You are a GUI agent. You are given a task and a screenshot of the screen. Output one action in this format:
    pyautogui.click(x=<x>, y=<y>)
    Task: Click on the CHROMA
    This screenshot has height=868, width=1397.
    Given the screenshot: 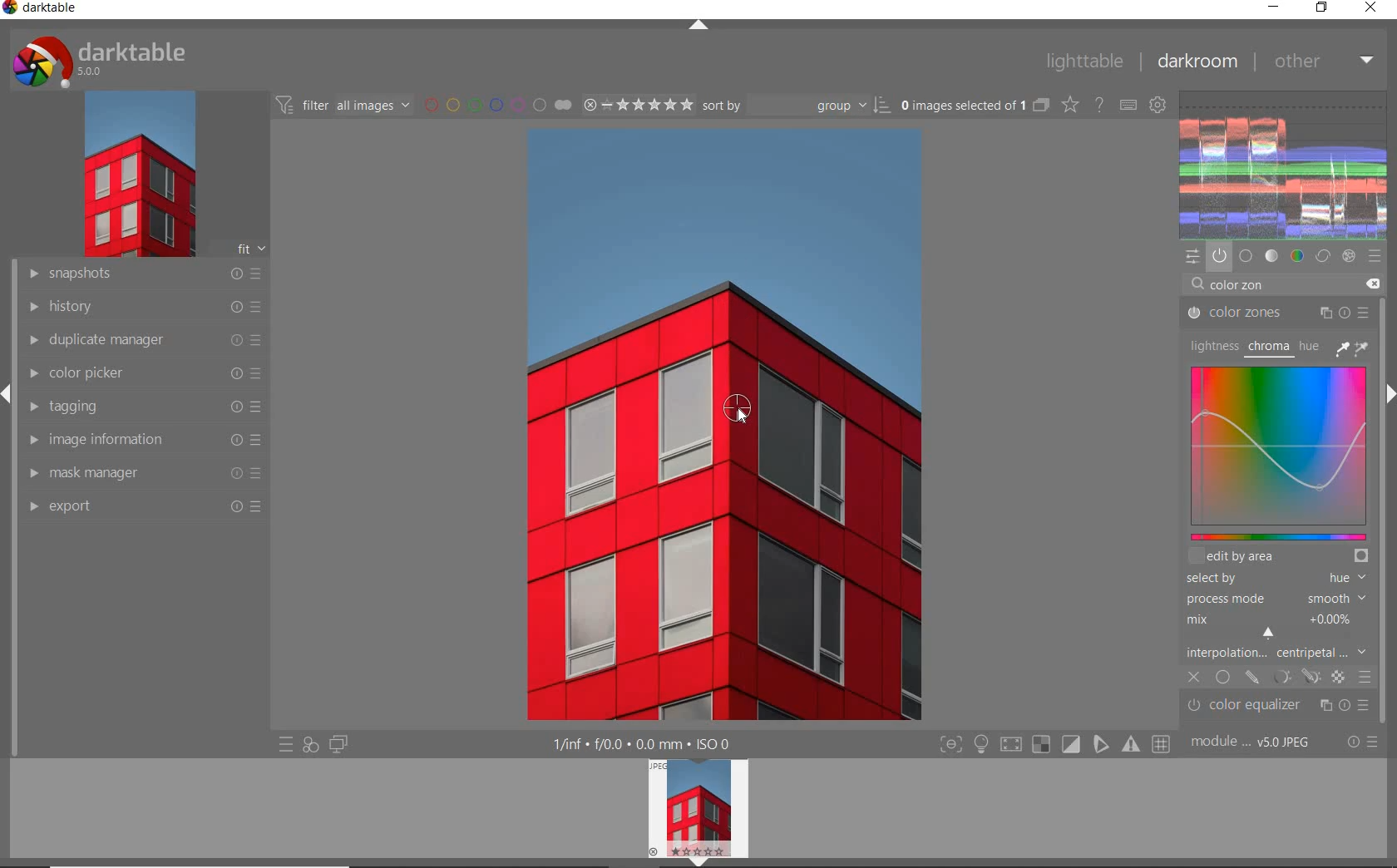 What is the action you would take?
    pyautogui.click(x=1267, y=348)
    